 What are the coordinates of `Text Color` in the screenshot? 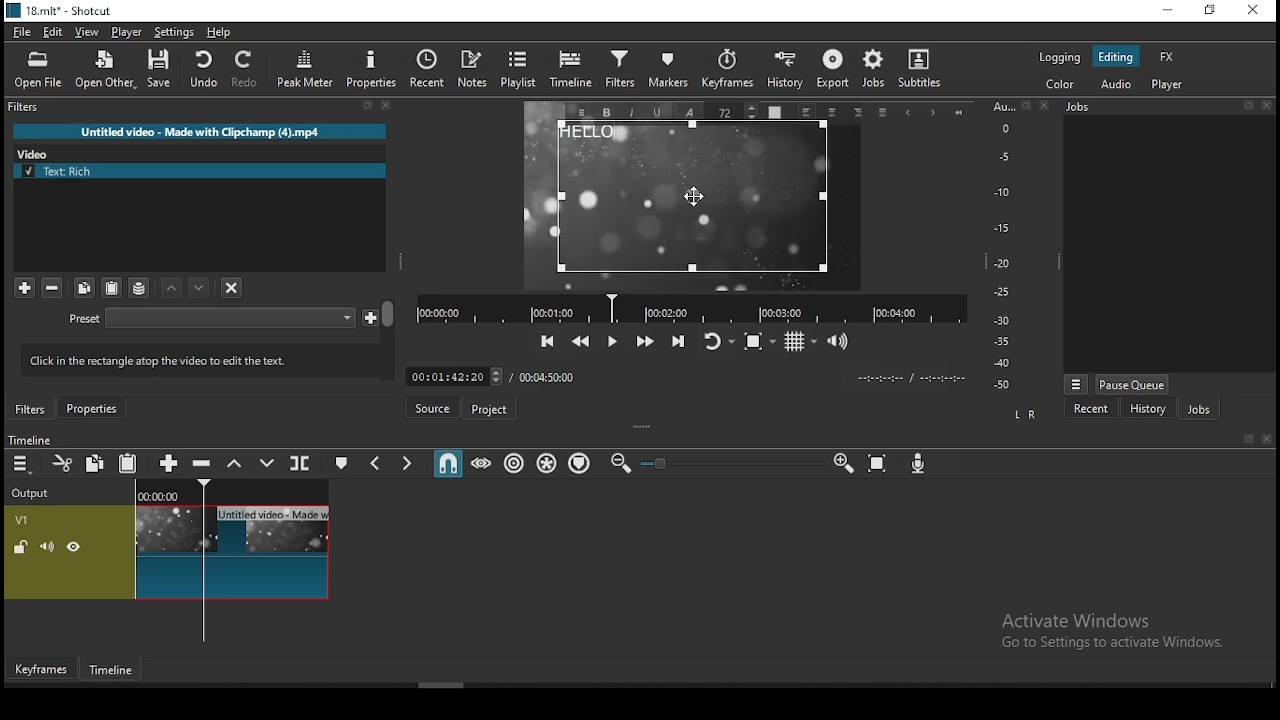 It's located at (774, 111).